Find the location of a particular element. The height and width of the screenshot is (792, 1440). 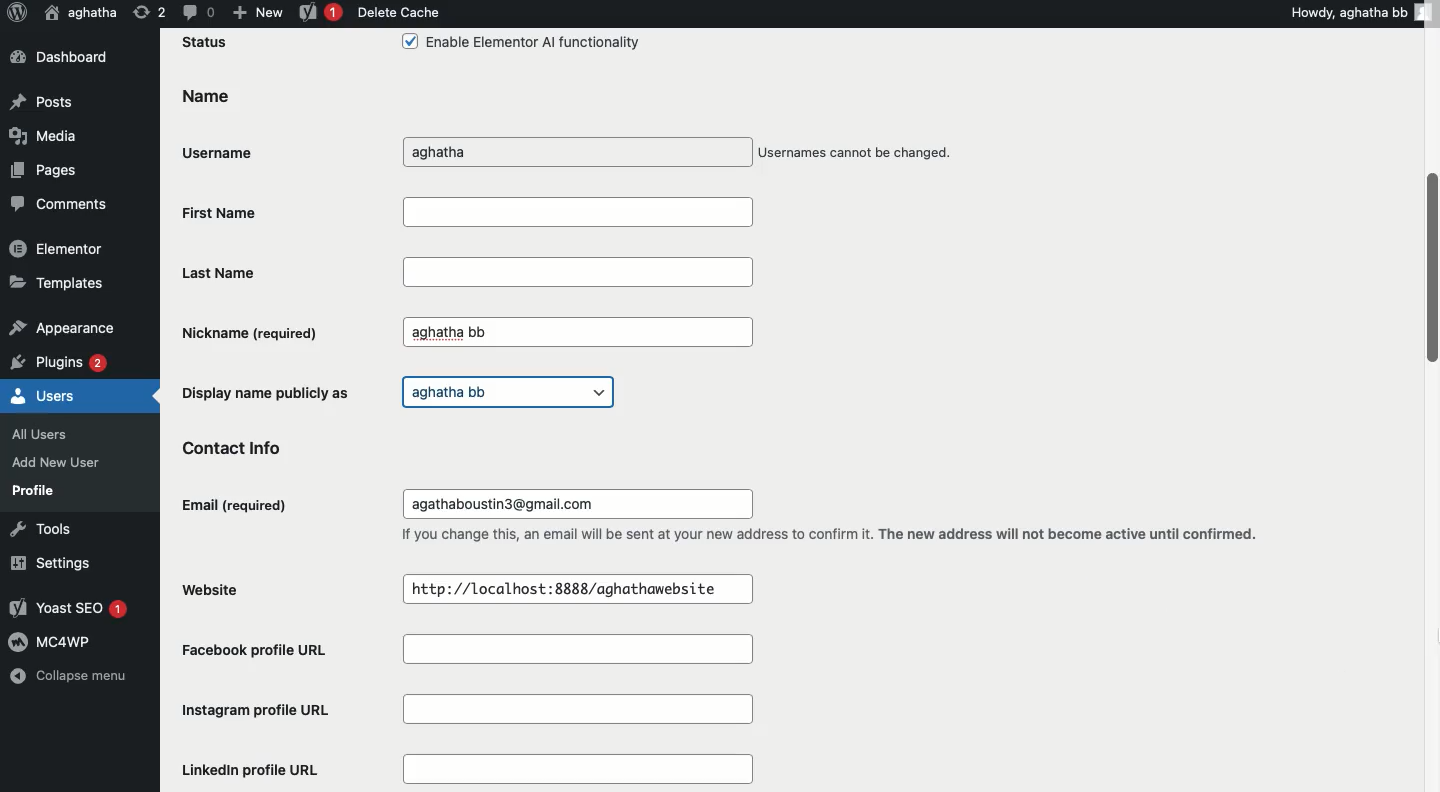

Collapse menu is located at coordinates (68, 678).